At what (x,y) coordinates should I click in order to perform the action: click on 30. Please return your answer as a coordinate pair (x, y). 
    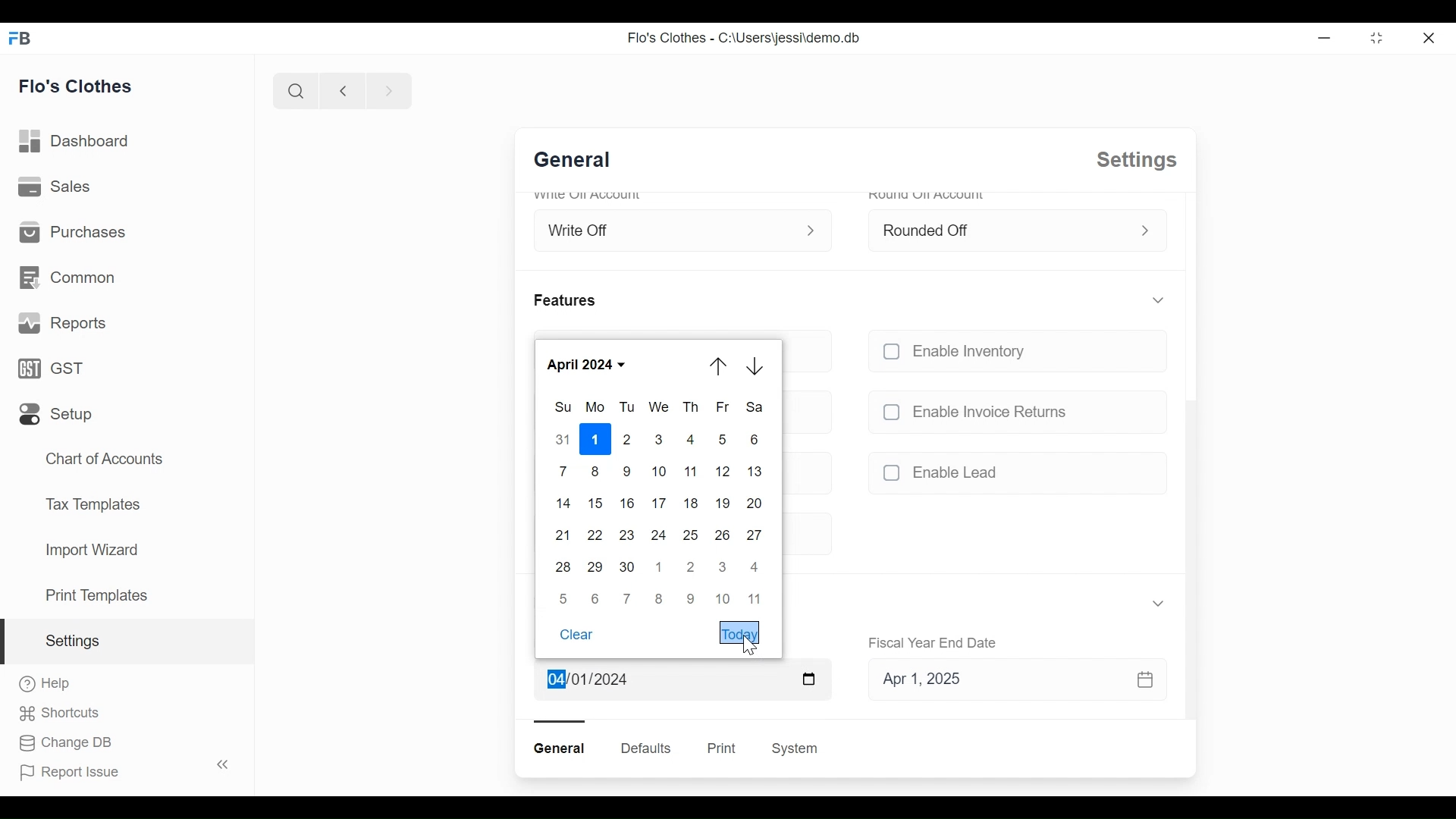
    Looking at the image, I should click on (626, 566).